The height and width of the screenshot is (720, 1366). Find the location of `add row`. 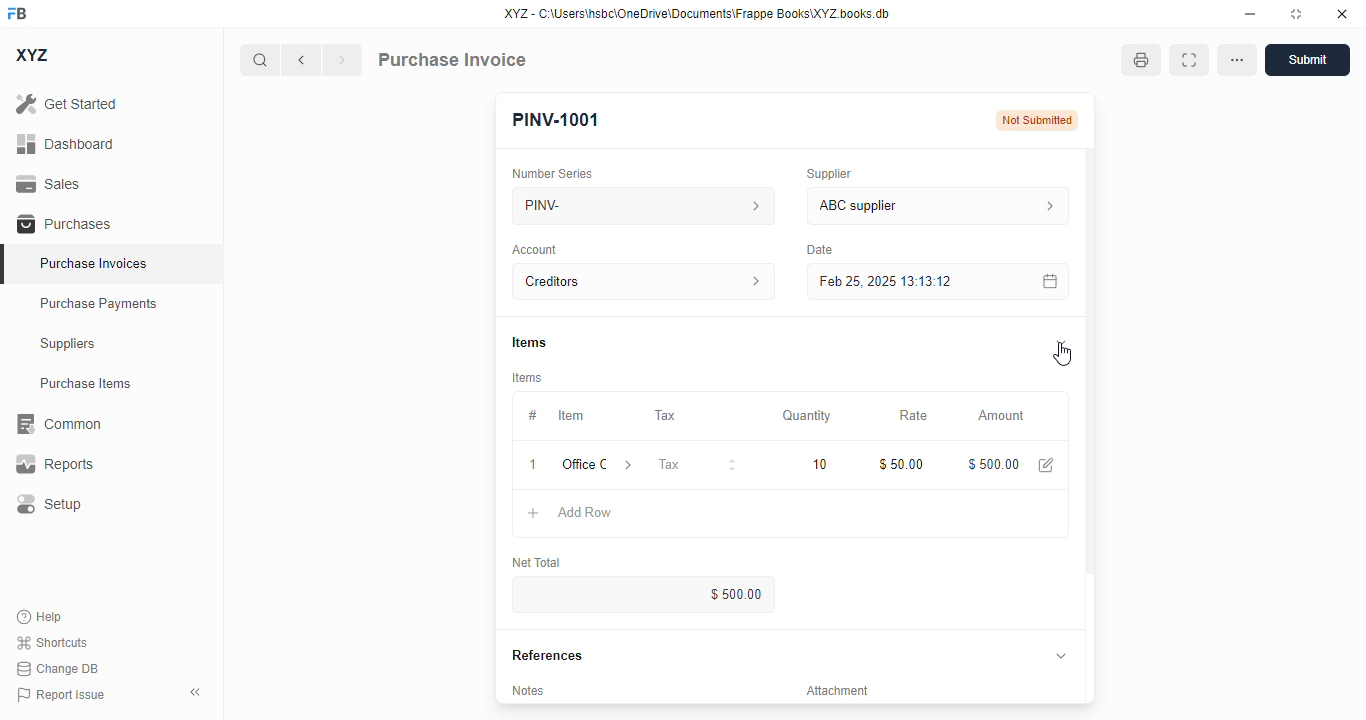

add row is located at coordinates (584, 512).